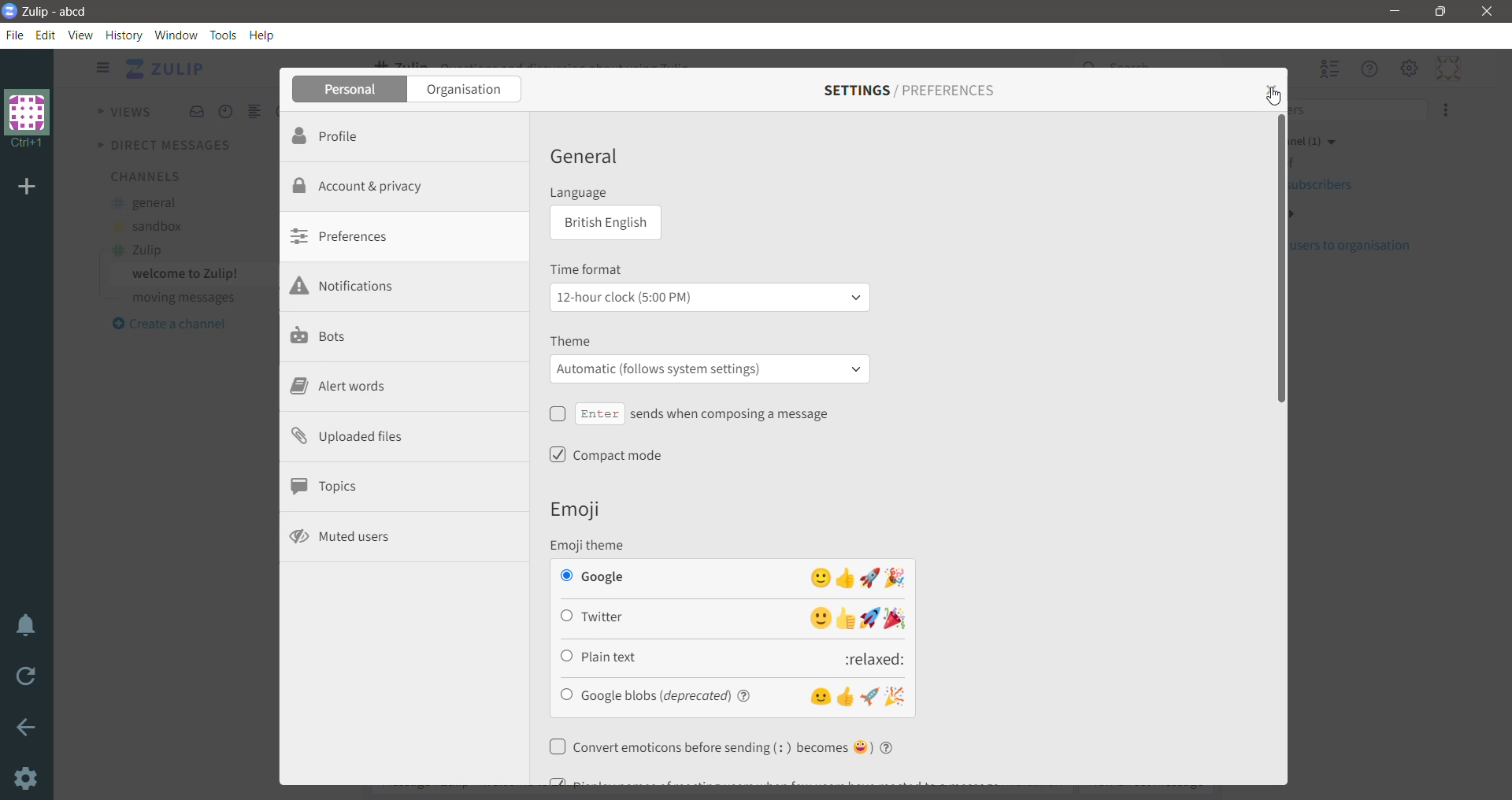 This screenshot has width=1512, height=800. Describe the element at coordinates (143, 178) in the screenshot. I see `Channels` at that location.